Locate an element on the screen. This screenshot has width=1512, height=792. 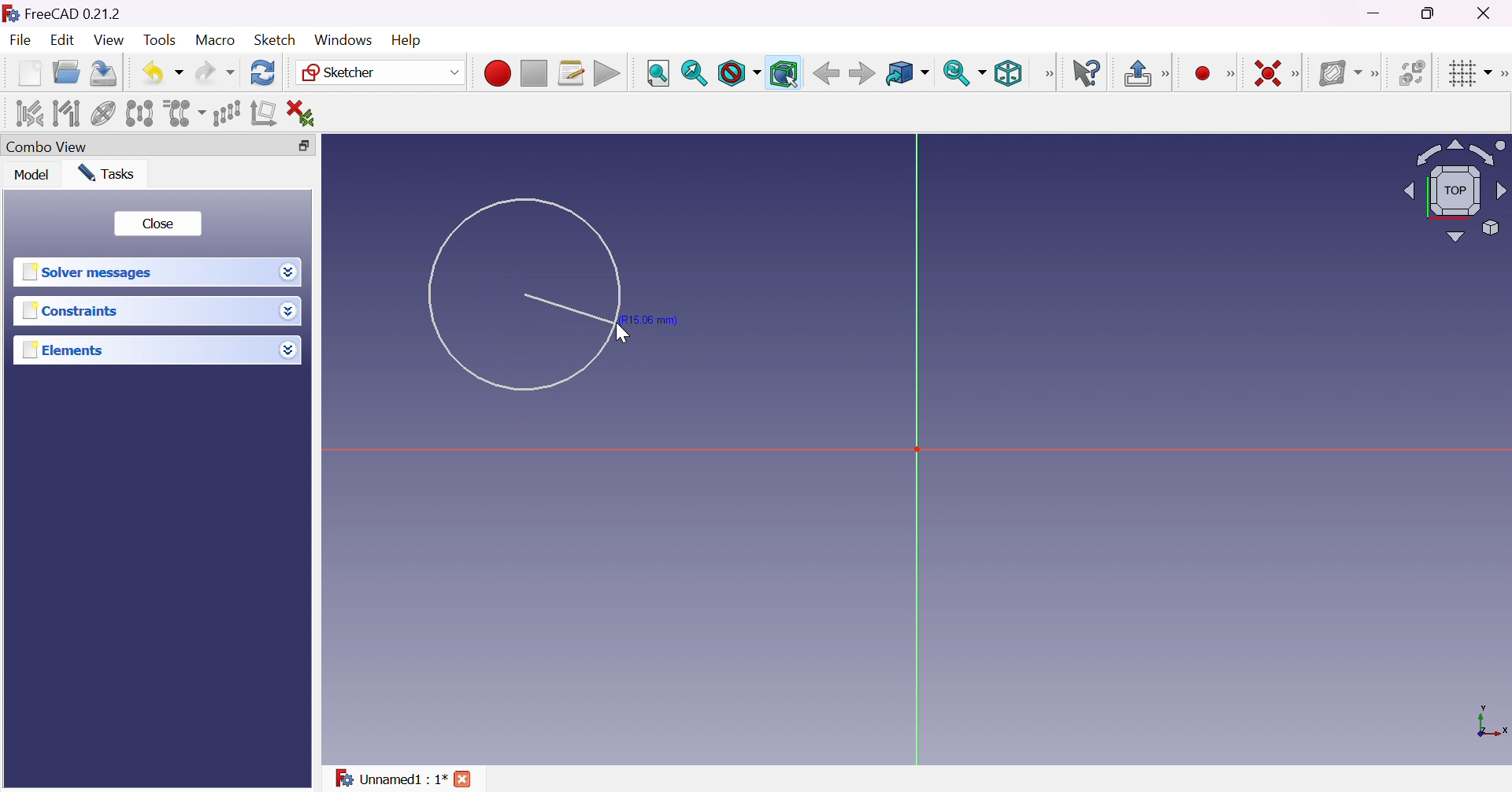
Elements is located at coordinates (65, 350).